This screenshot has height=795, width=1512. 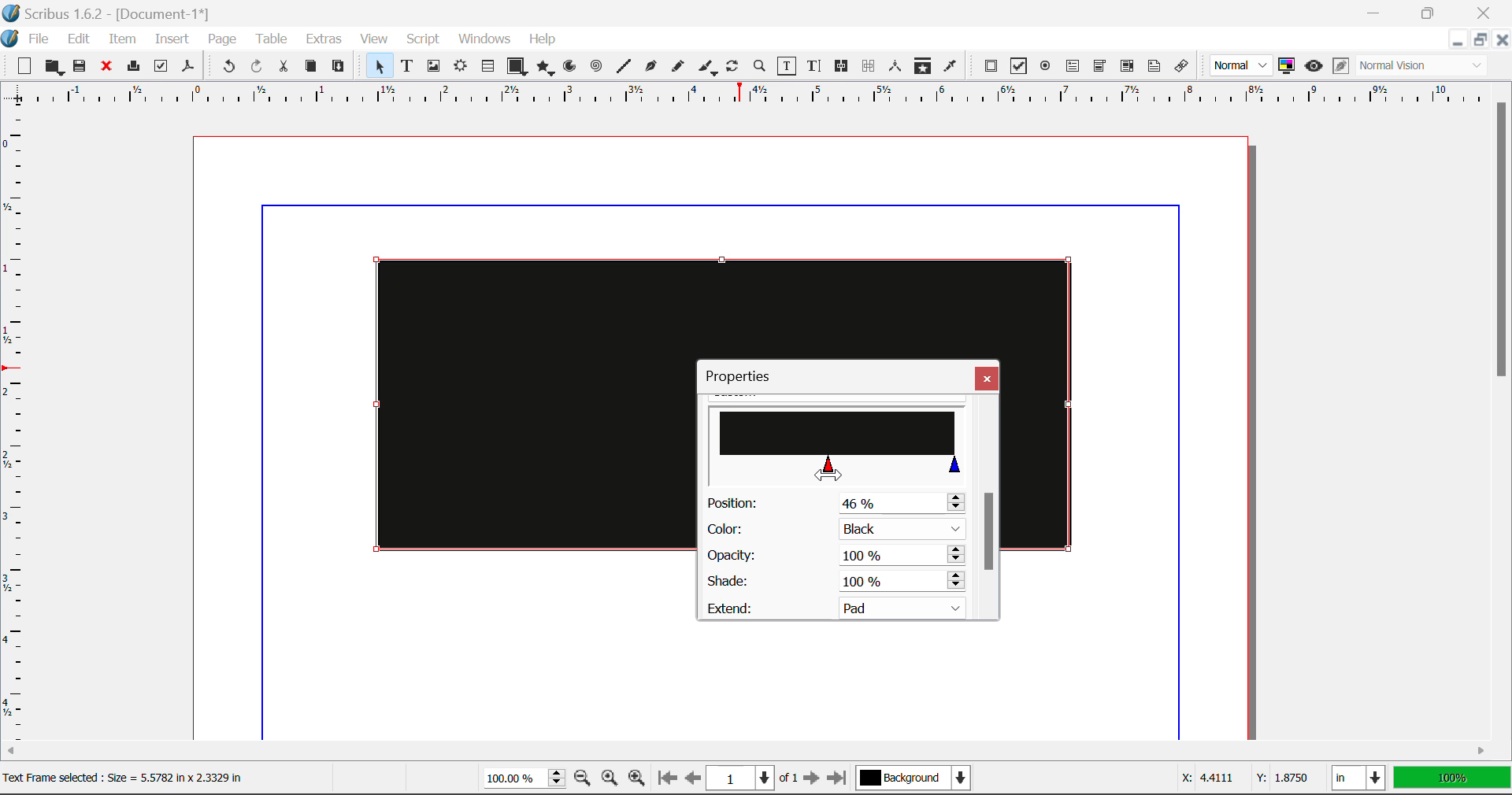 I want to click on Restore Down, so click(x=1376, y=11).